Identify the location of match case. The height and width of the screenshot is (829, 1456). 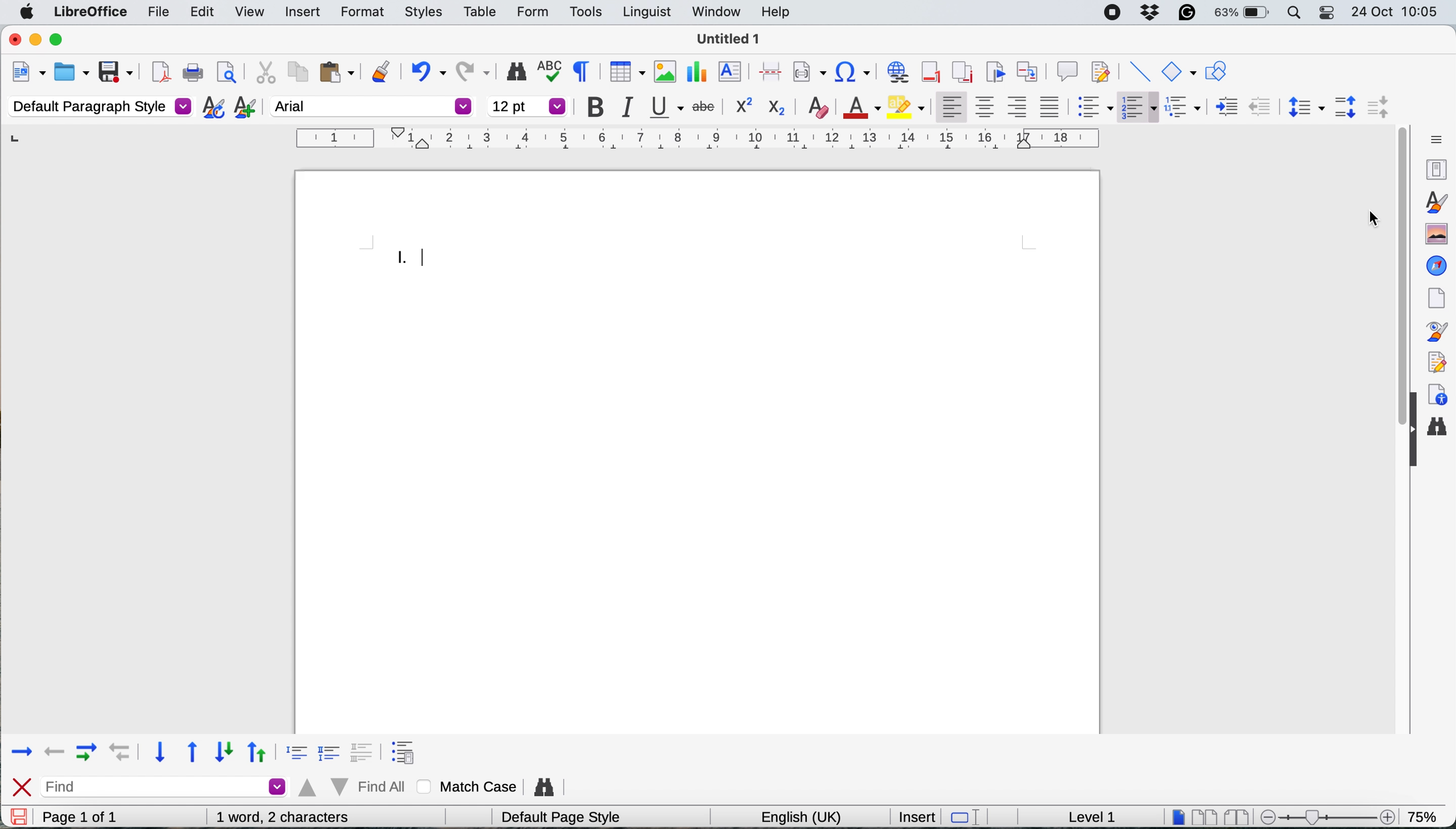
(470, 786).